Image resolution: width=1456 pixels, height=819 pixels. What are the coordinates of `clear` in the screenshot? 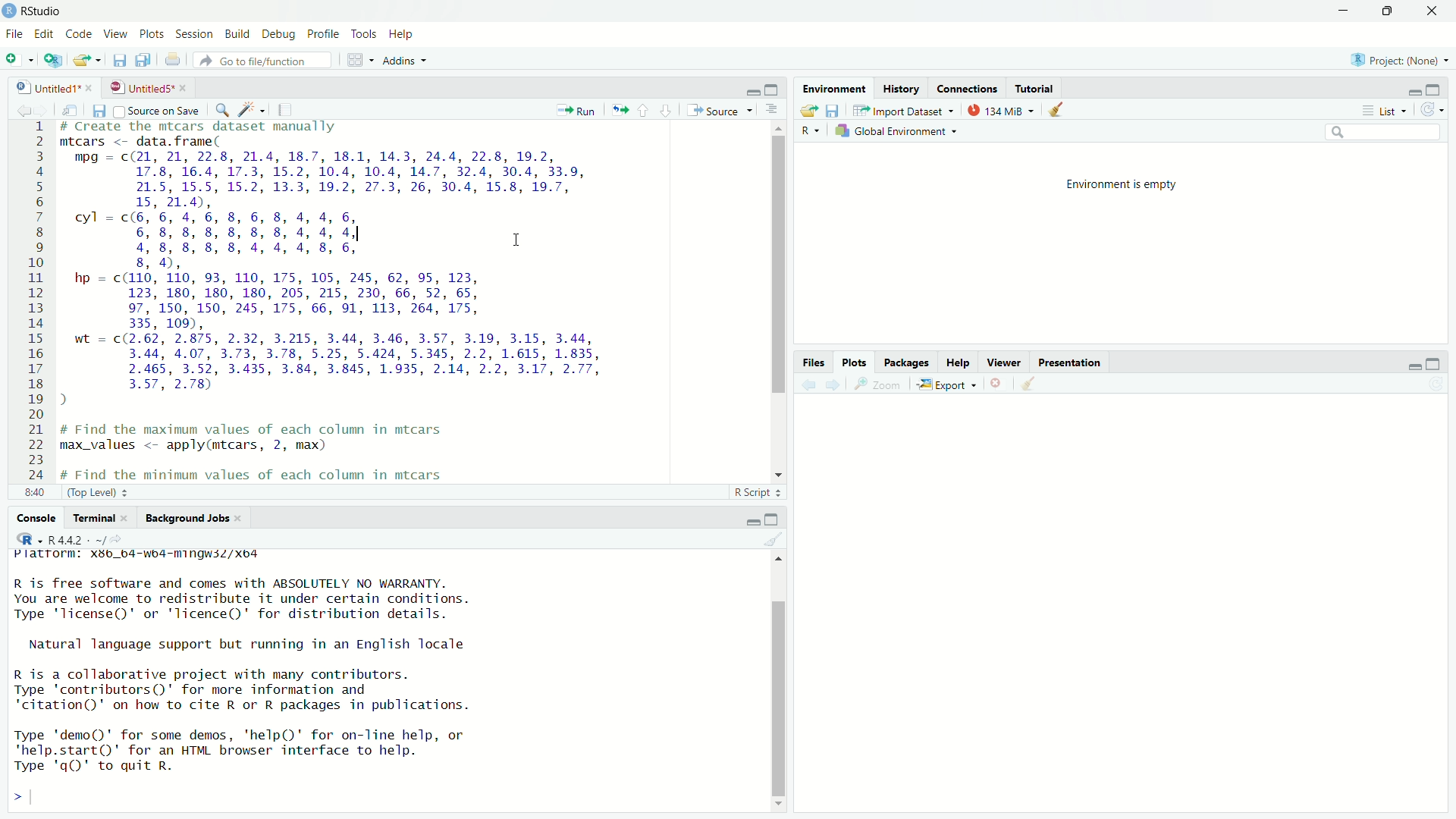 It's located at (1062, 113).